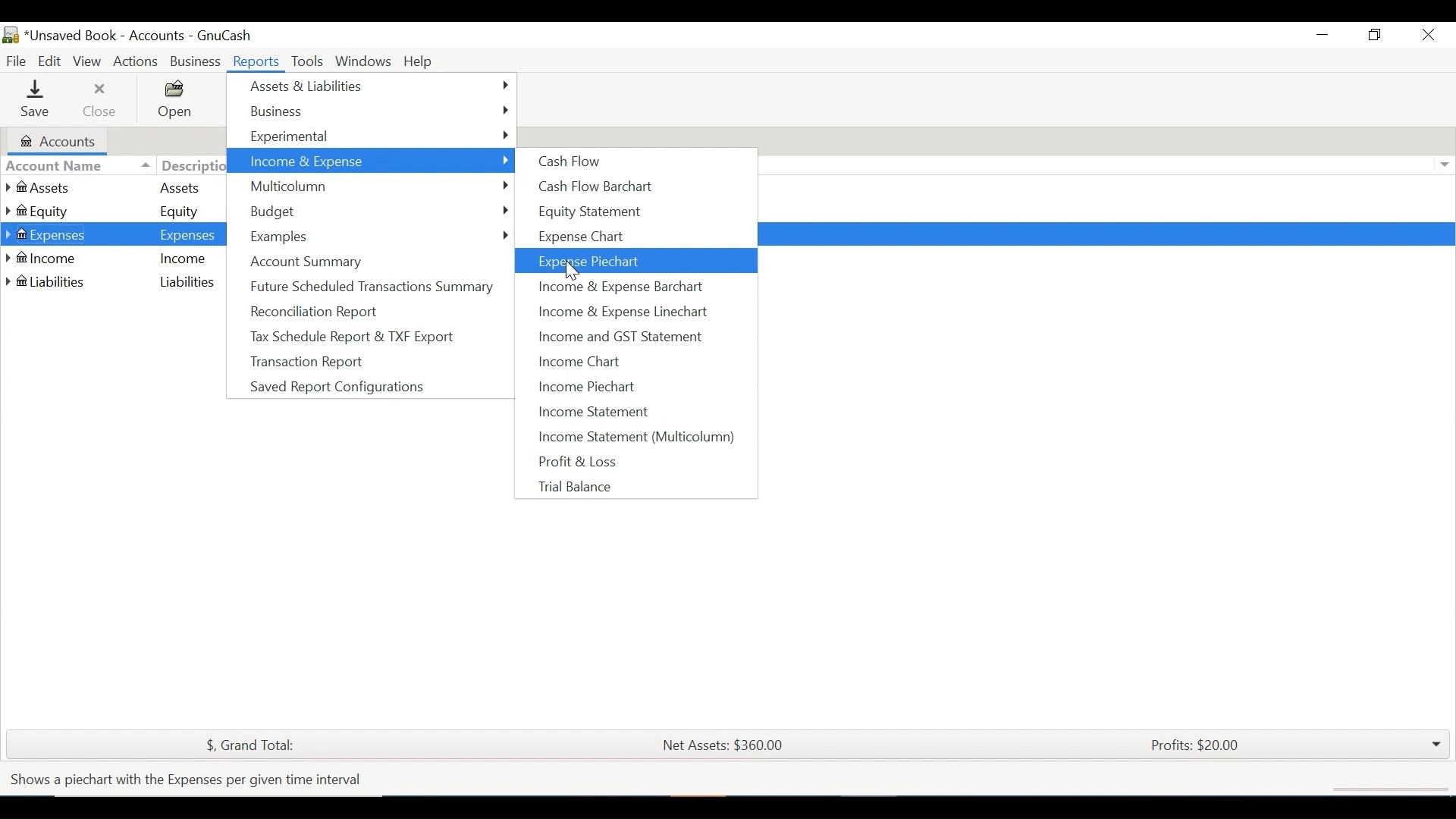 The height and width of the screenshot is (819, 1456). I want to click on cursor, so click(573, 277).